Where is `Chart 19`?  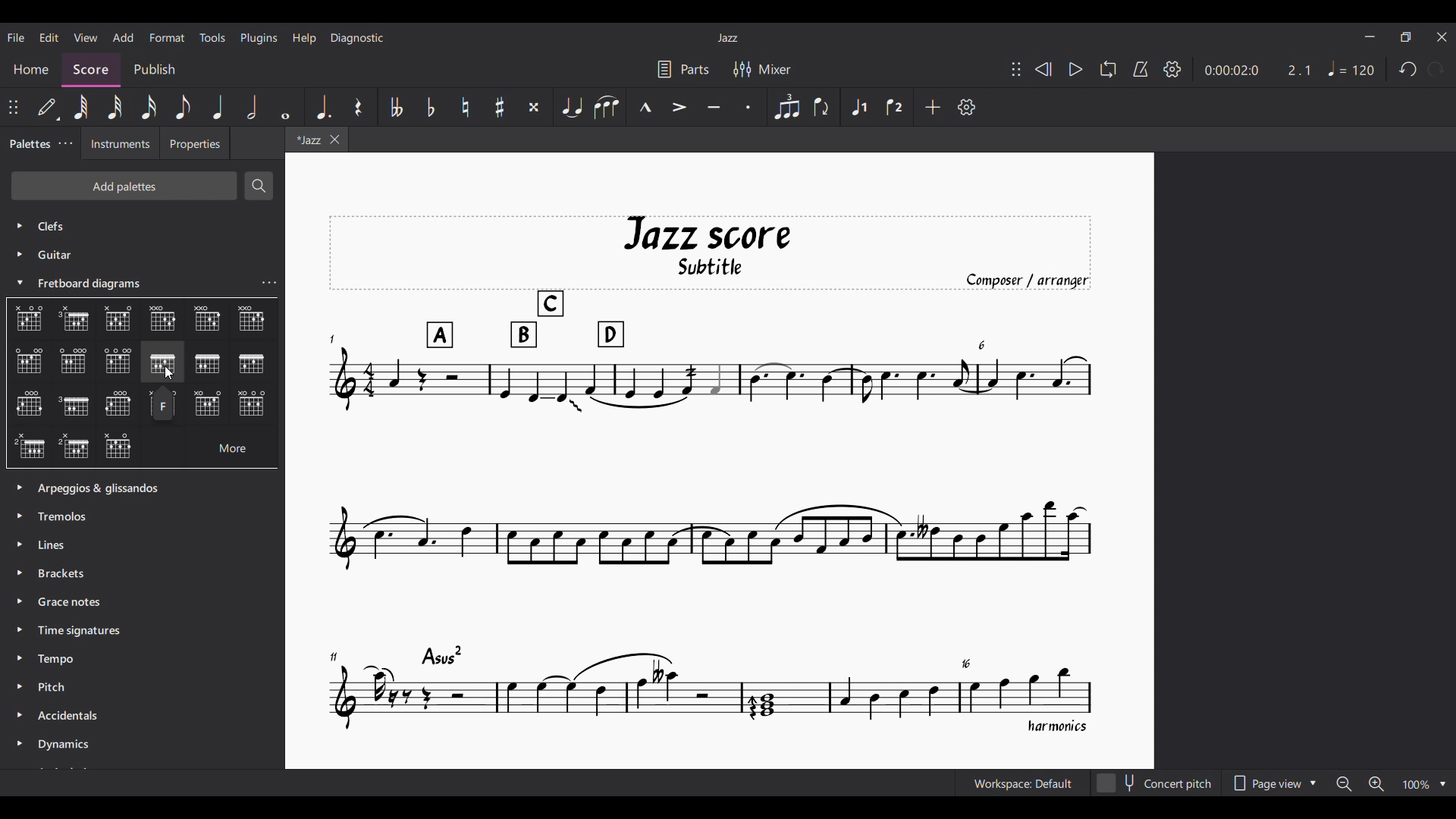
Chart 19 is located at coordinates (121, 447).